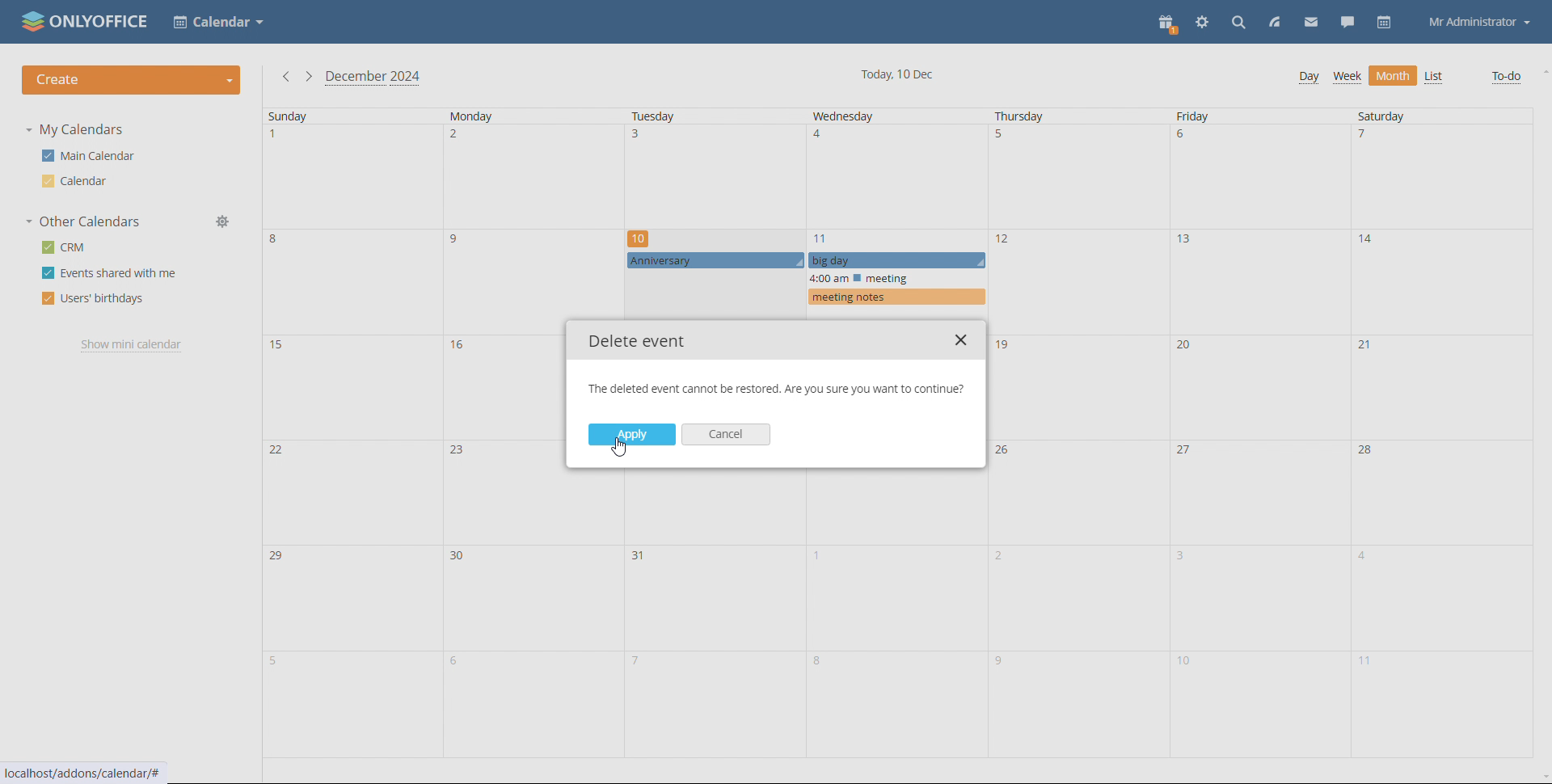  Describe the element at coordinates (500, 433) in the screenshot. I see `Monday` at that location.